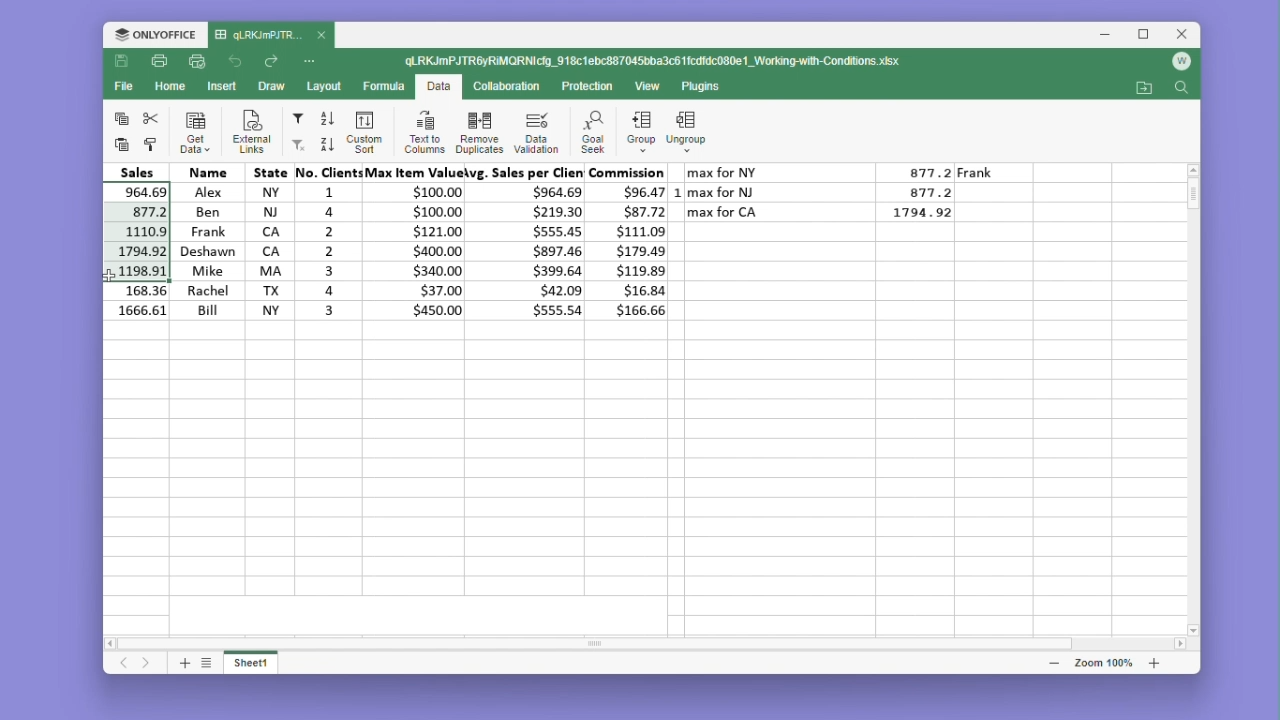 This screenshot has height=720, width=1280. I want to click on Collaboration, so click(504, 85).